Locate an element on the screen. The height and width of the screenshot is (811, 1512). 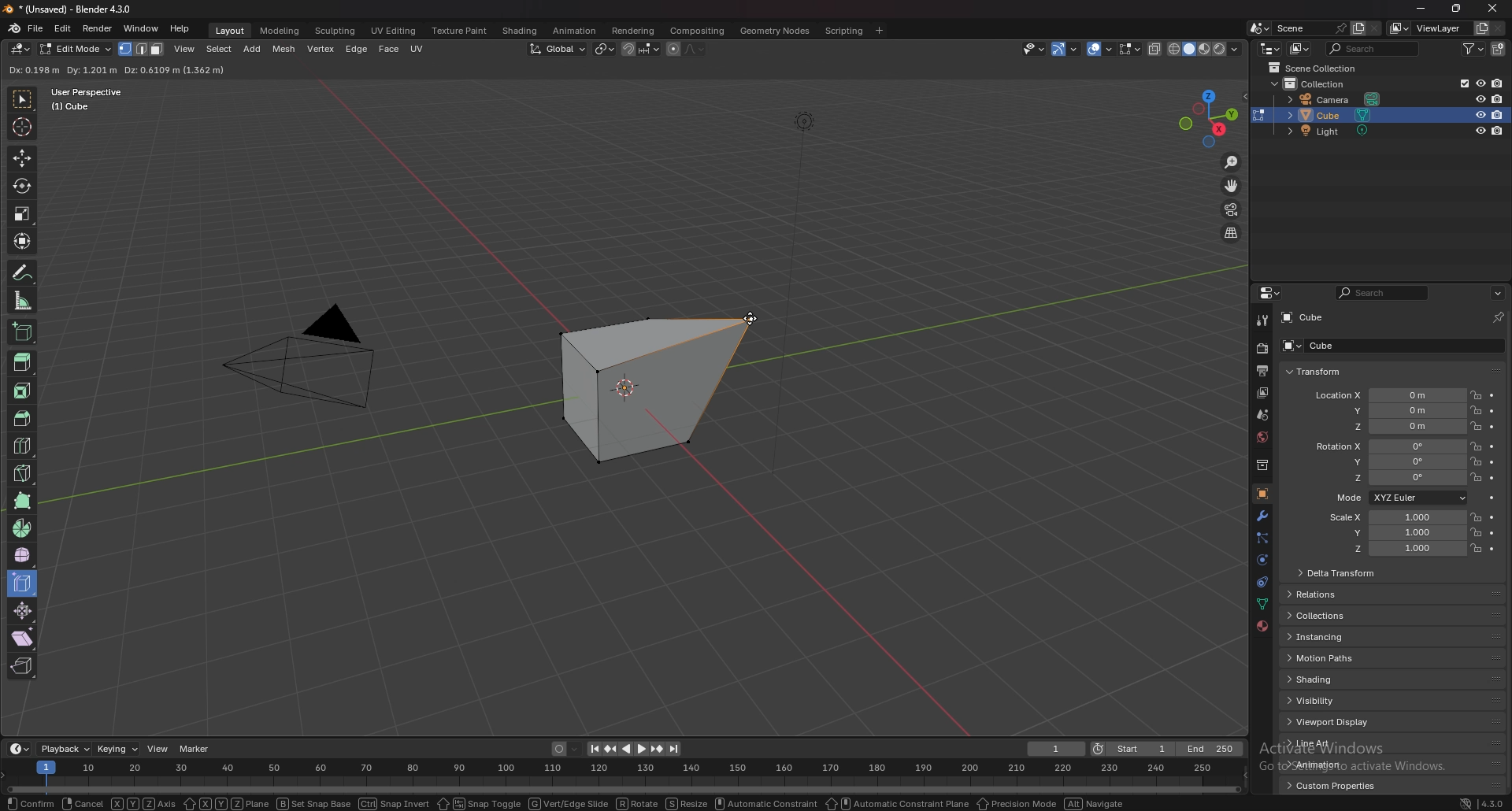
disable in render is located at coordinates (1499, 114).